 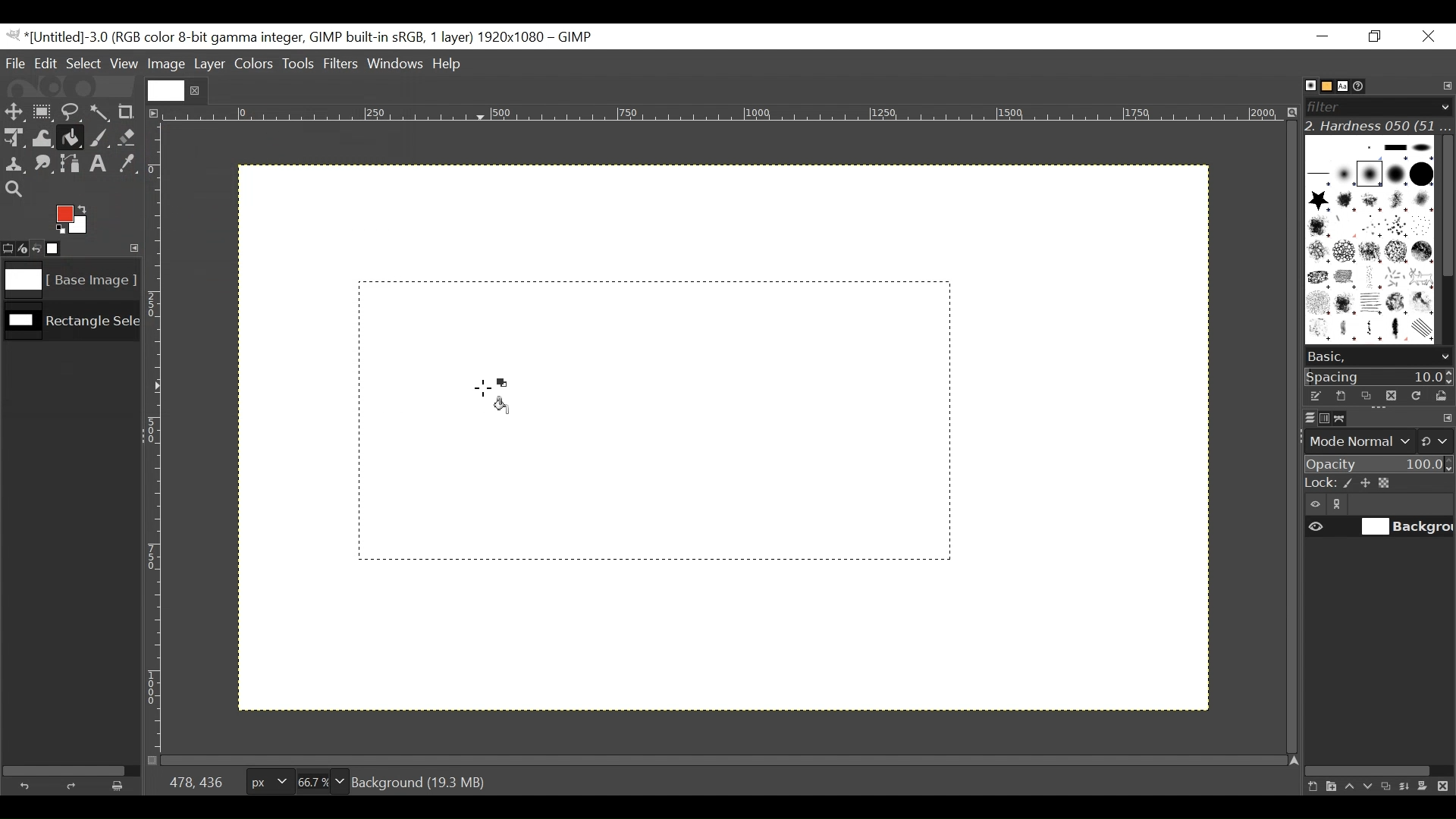 I want to click on Image, so click(x=166, y=64).